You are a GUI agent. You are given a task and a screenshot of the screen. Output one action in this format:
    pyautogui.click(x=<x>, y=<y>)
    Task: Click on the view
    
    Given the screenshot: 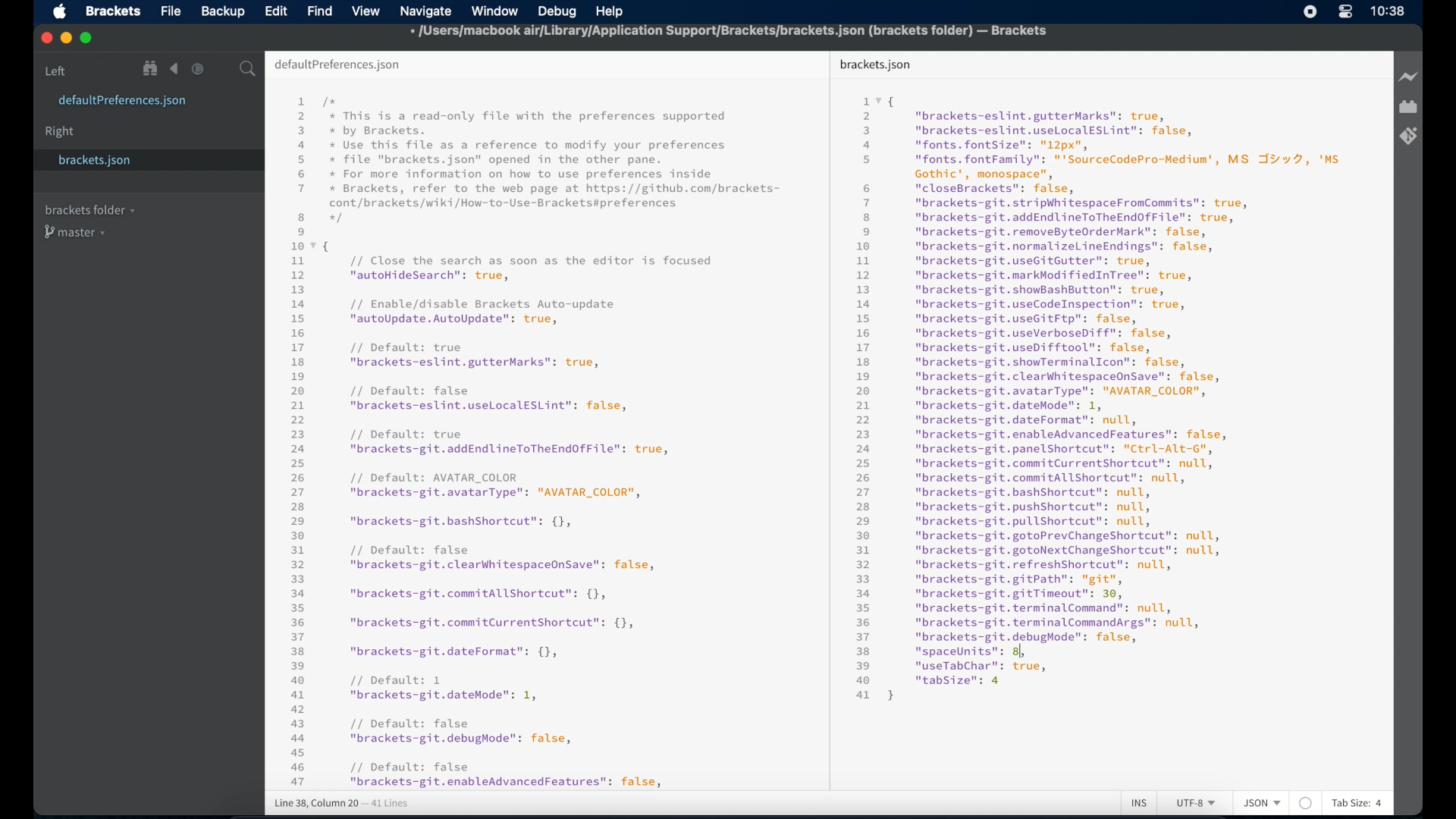 What is the action you would take?
    pyautogui.click(x=366, y=11)
    